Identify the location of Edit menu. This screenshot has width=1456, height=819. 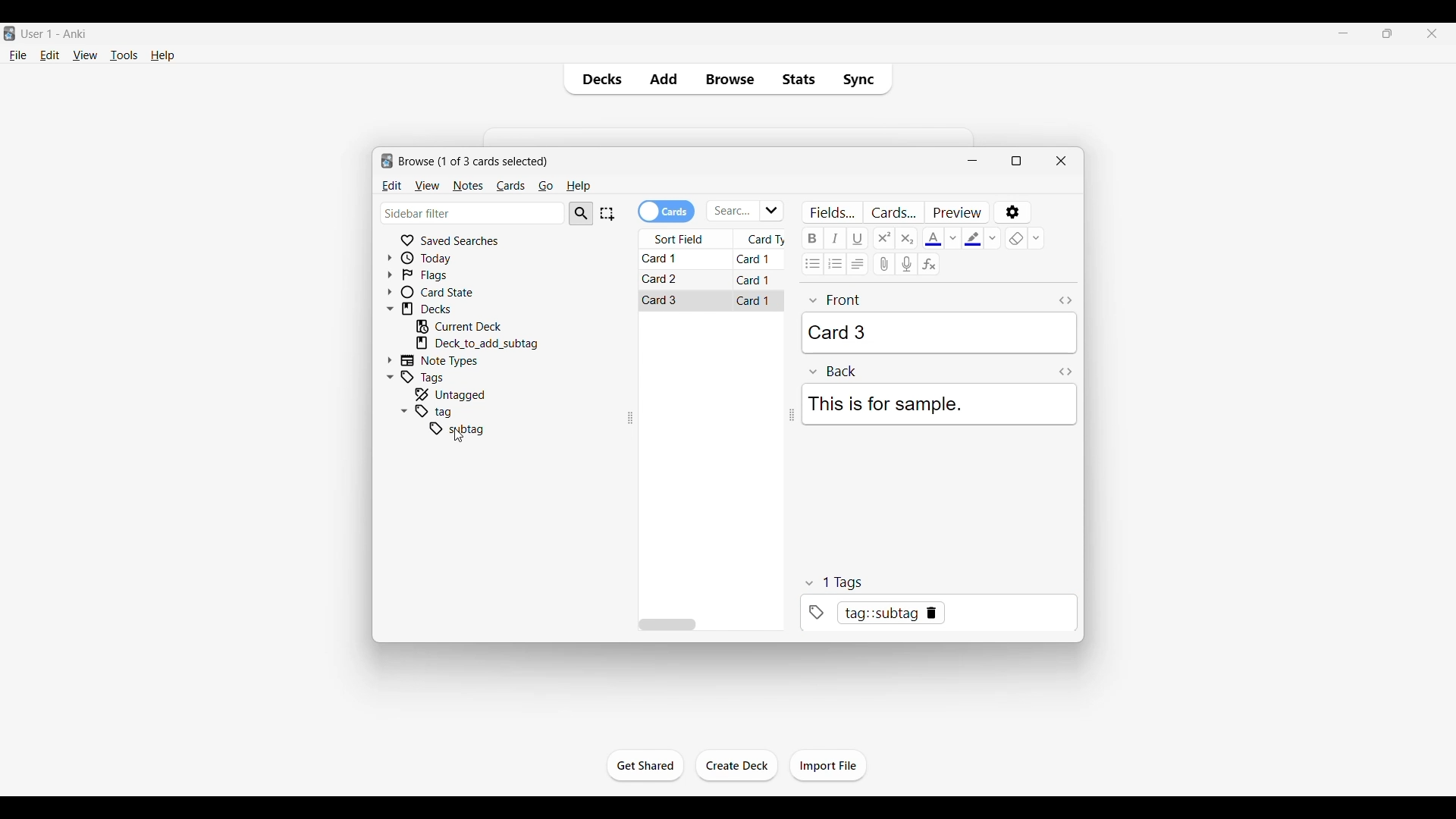
(50, 55).